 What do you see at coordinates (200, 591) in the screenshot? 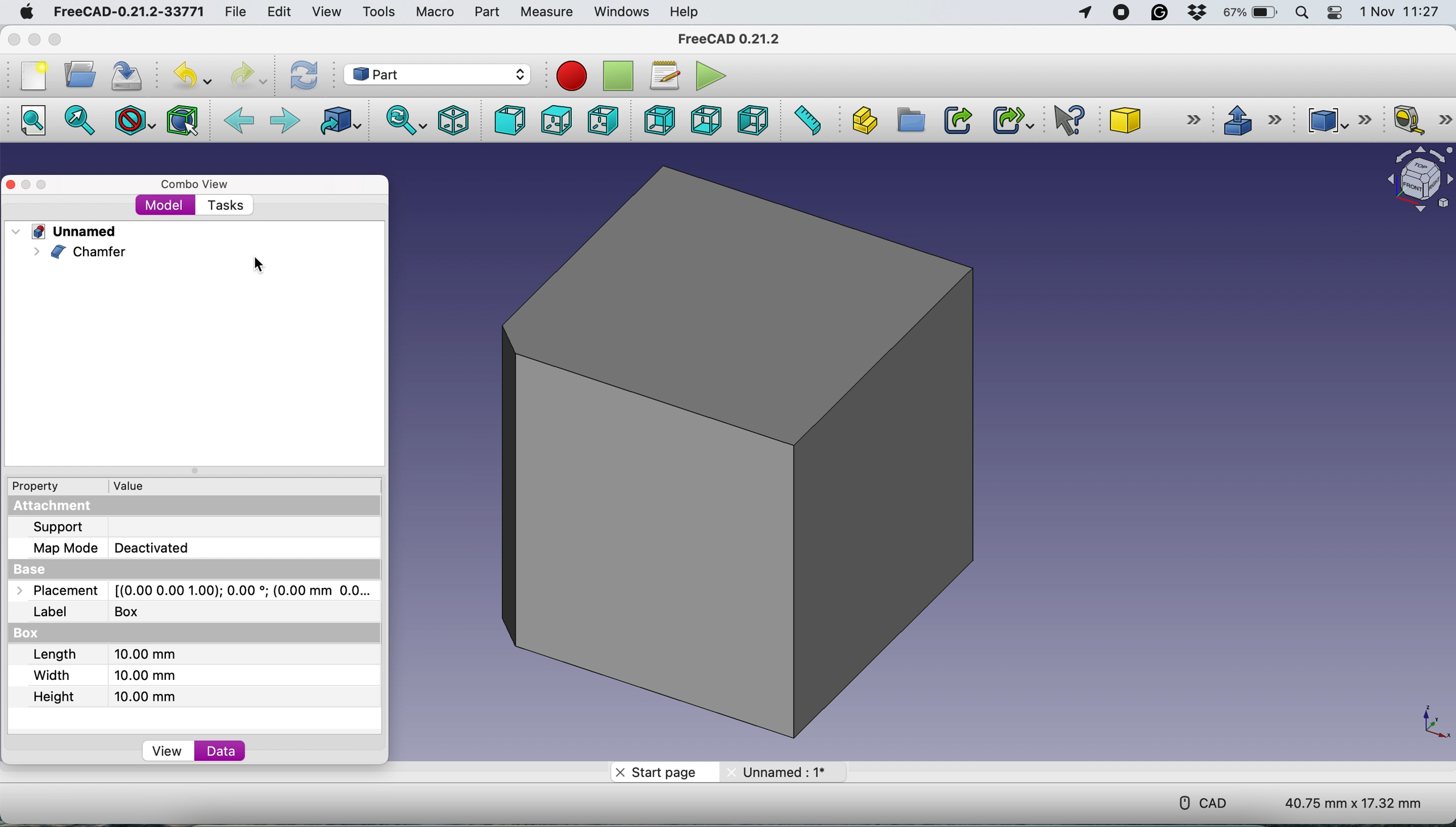
I see `placement - [(0.00 0.00 1.00); 0.00°; (0.00 mm 0.0..` at bounding box center [200, 591].